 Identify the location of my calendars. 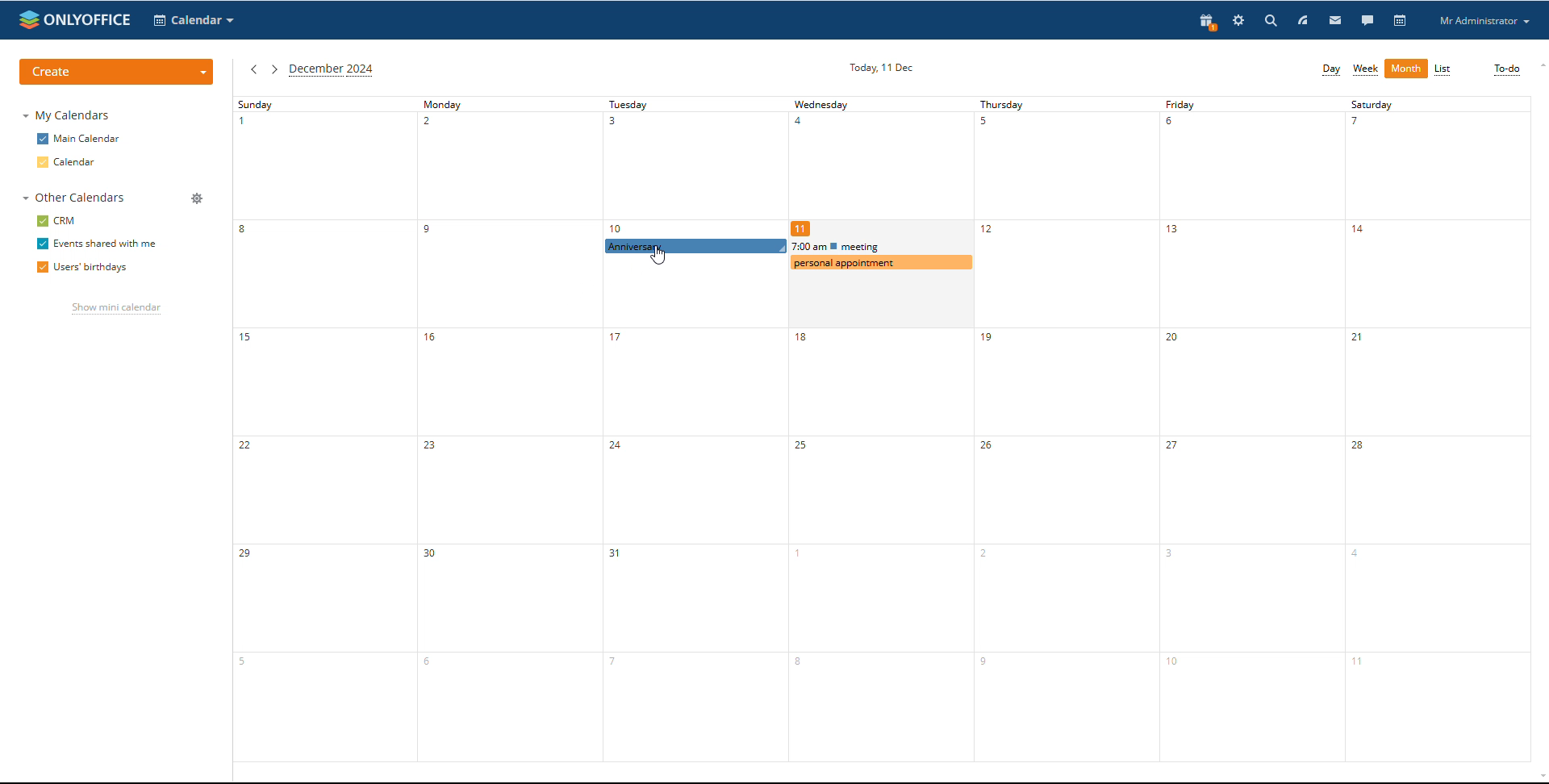
(69, 115).